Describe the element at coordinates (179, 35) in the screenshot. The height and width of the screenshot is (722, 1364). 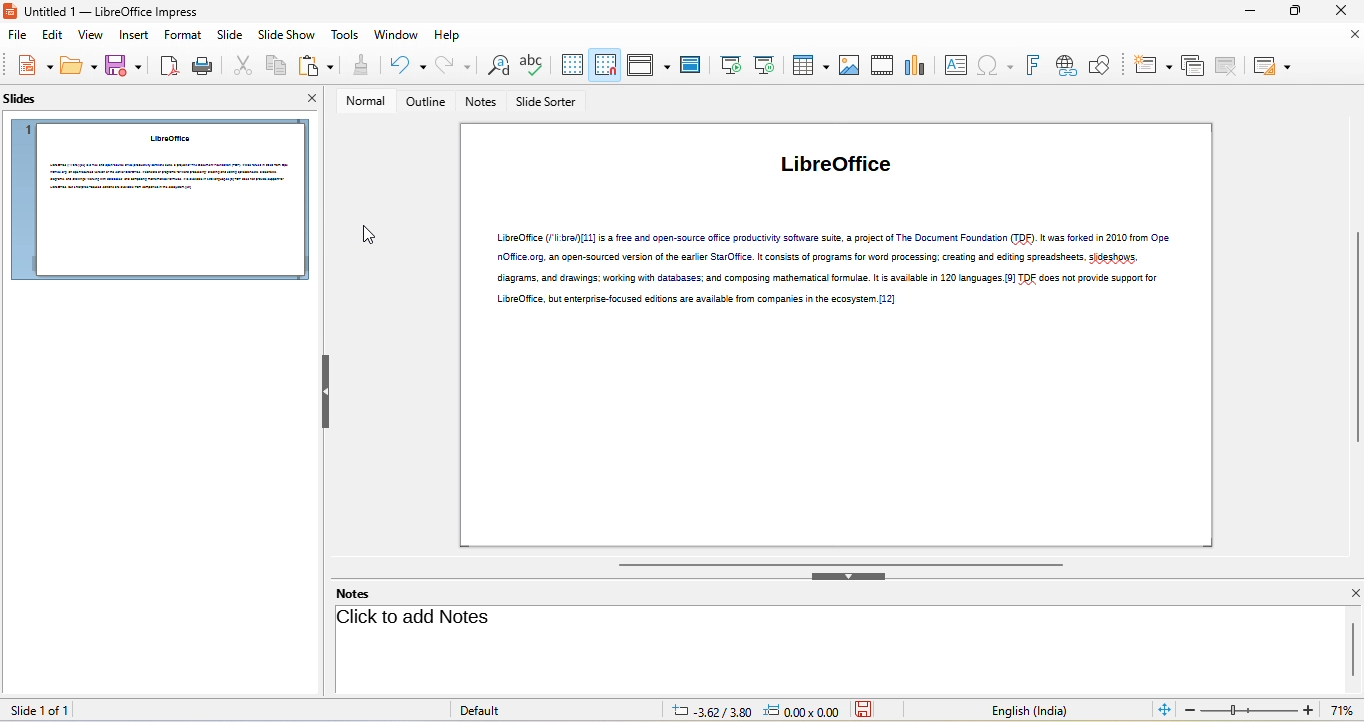
I see `format` at that location.